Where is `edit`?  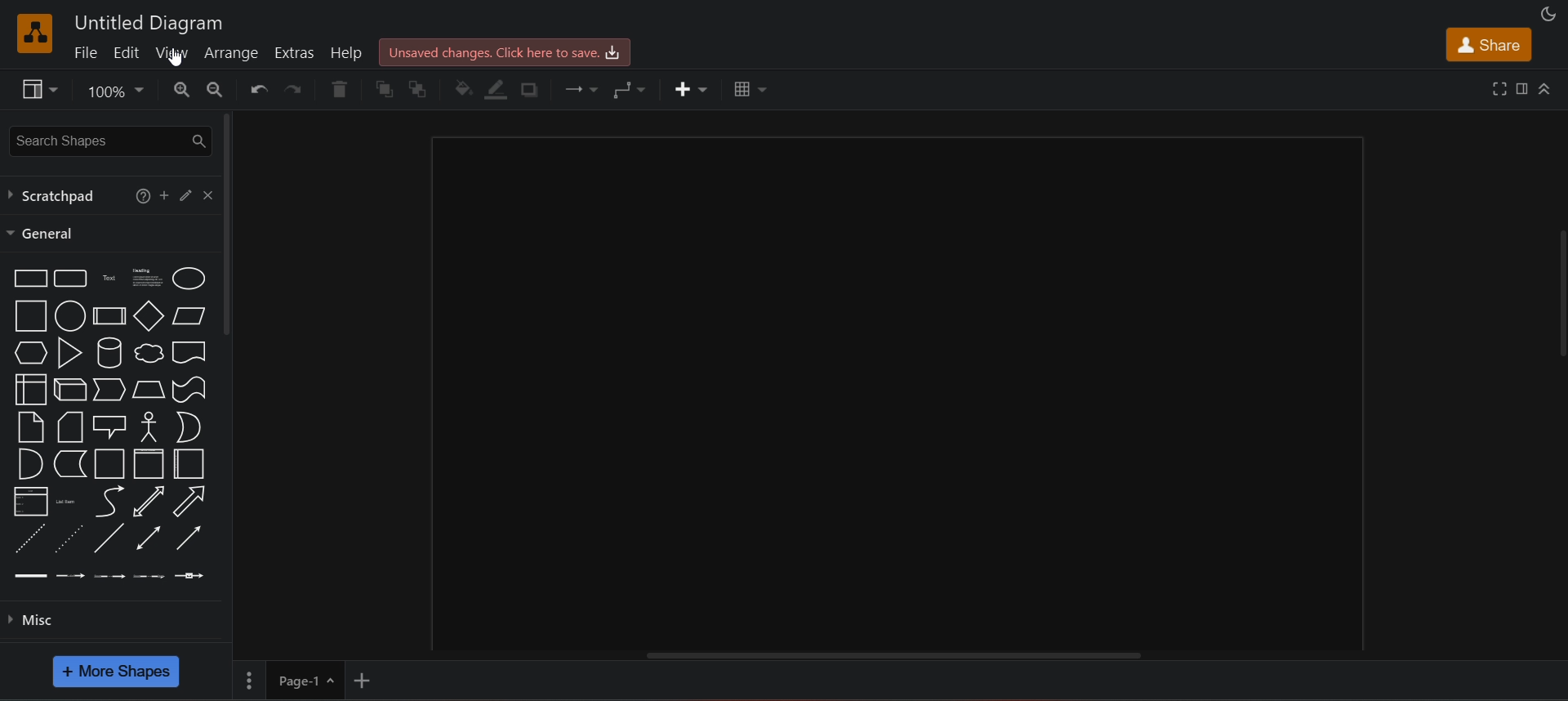
edit is located at coordinates (188, 194).